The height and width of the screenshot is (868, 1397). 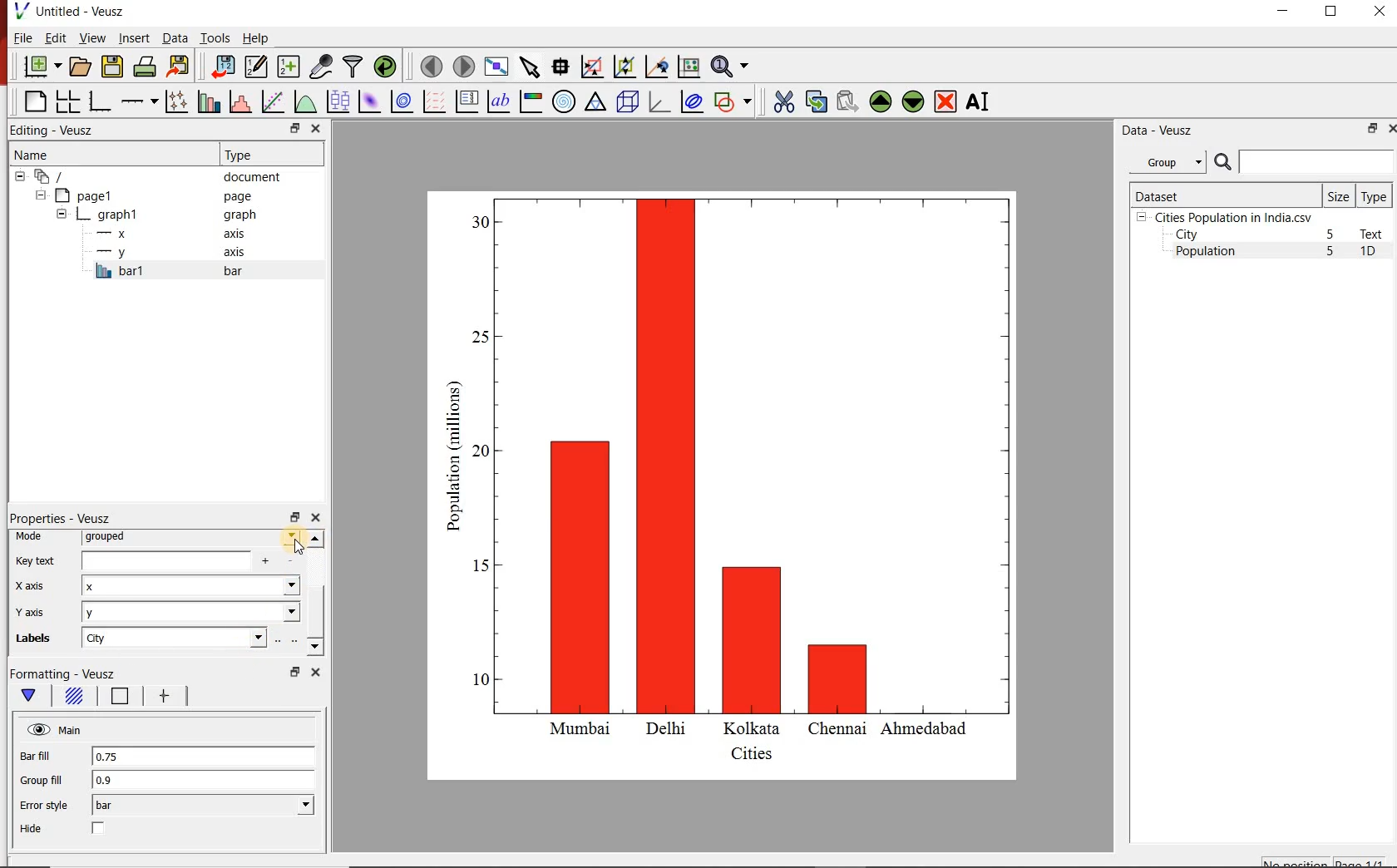 I want to click on Bar fill, so click(x=47, y=757).